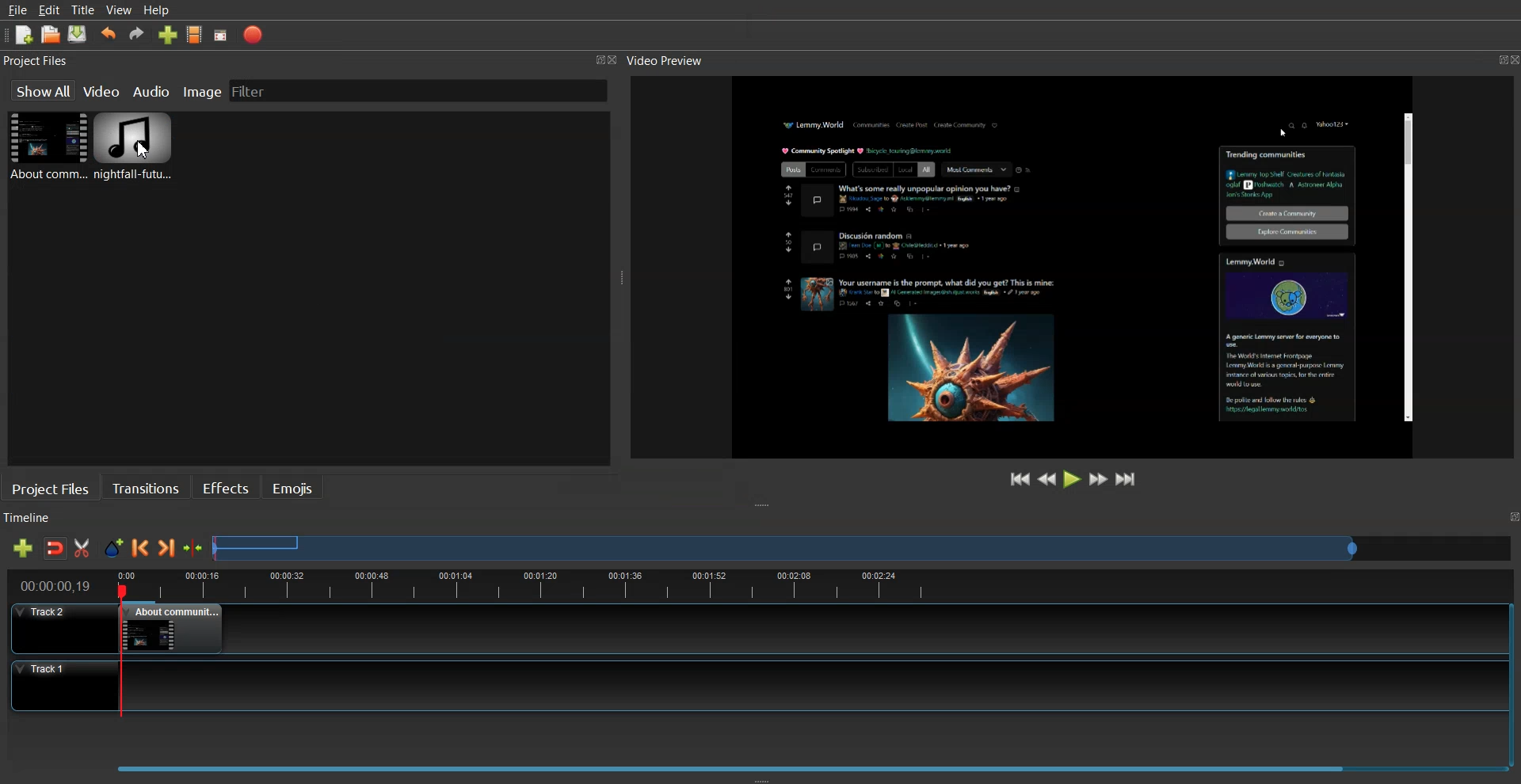  What do you see at coordinates (143, 150) in the screenshot?
I see `Cursor` at bounding box center [143, 150].